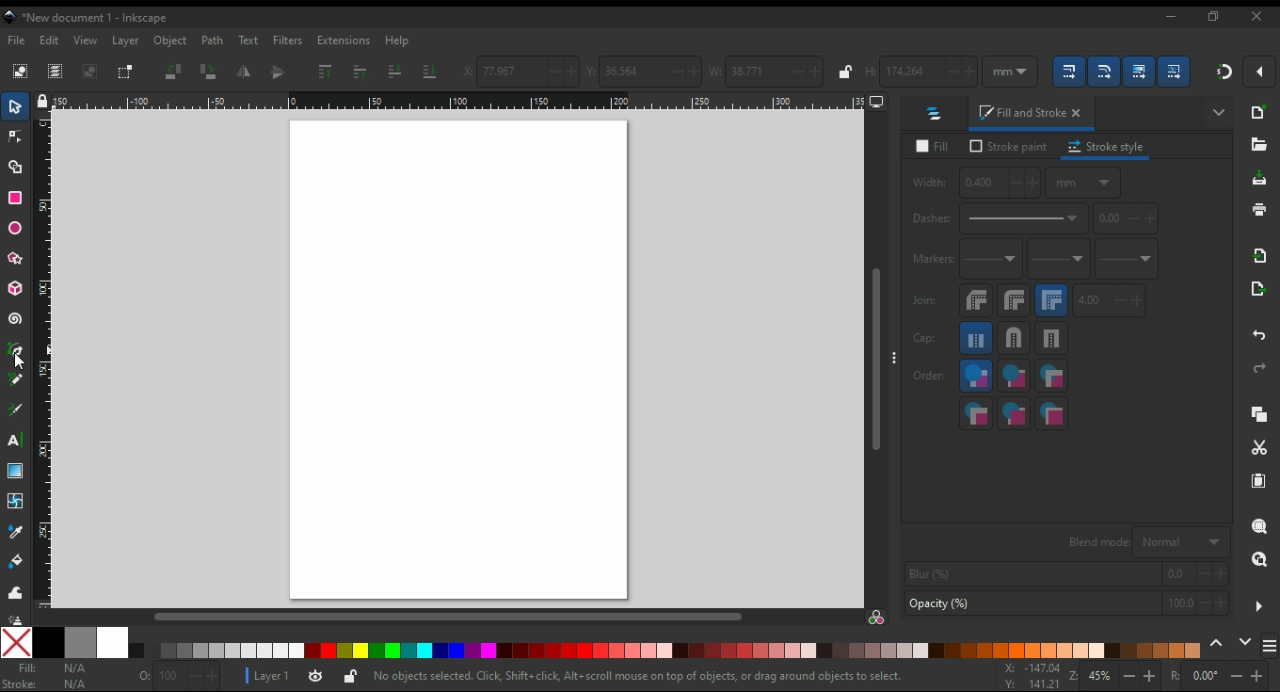 The image size is (1280, 692). I want to click on height of selection, so click(923, 71).